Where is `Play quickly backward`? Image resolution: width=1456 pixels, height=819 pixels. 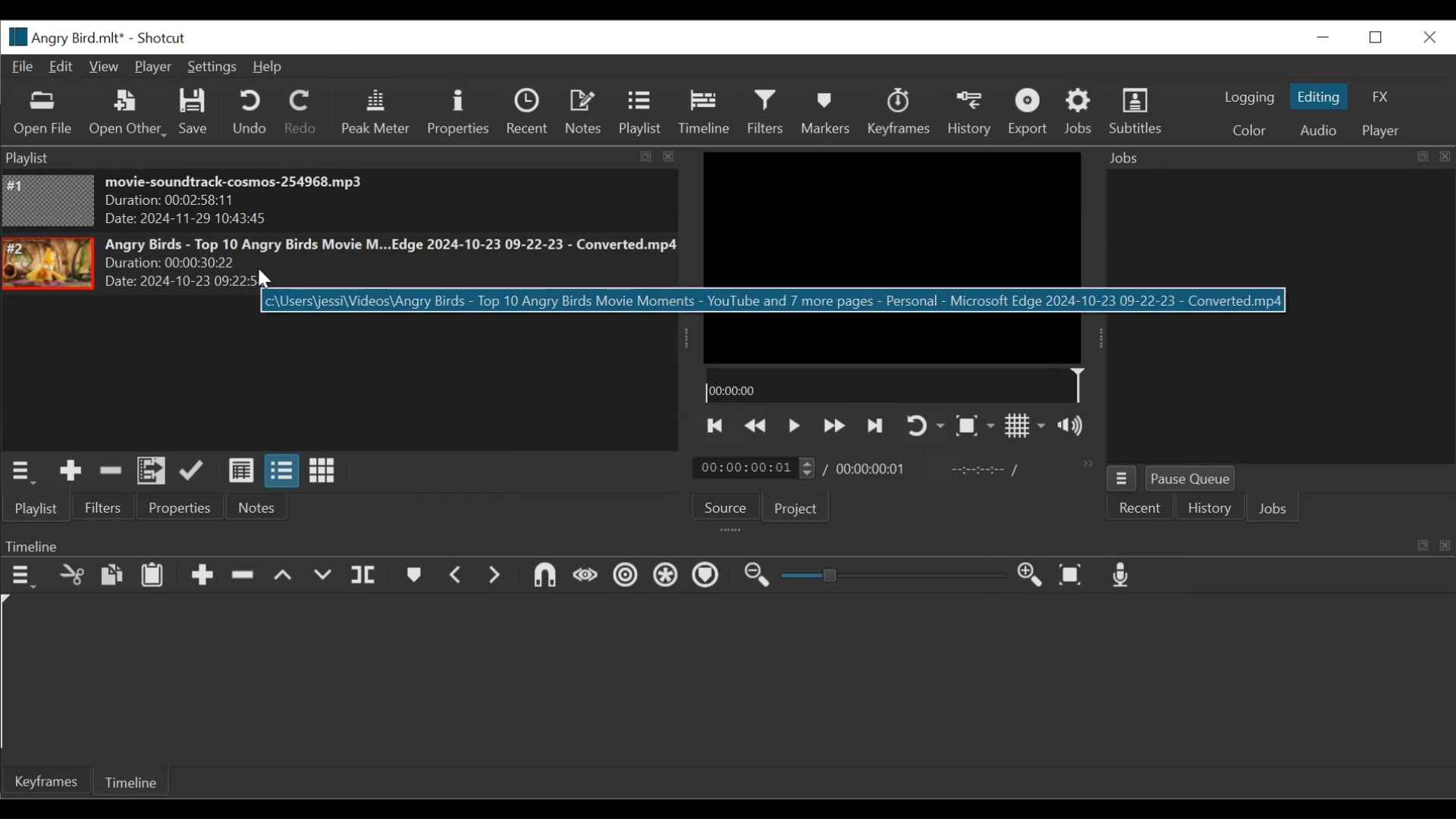
Play quickly backward is located at coordinates (758, 426).